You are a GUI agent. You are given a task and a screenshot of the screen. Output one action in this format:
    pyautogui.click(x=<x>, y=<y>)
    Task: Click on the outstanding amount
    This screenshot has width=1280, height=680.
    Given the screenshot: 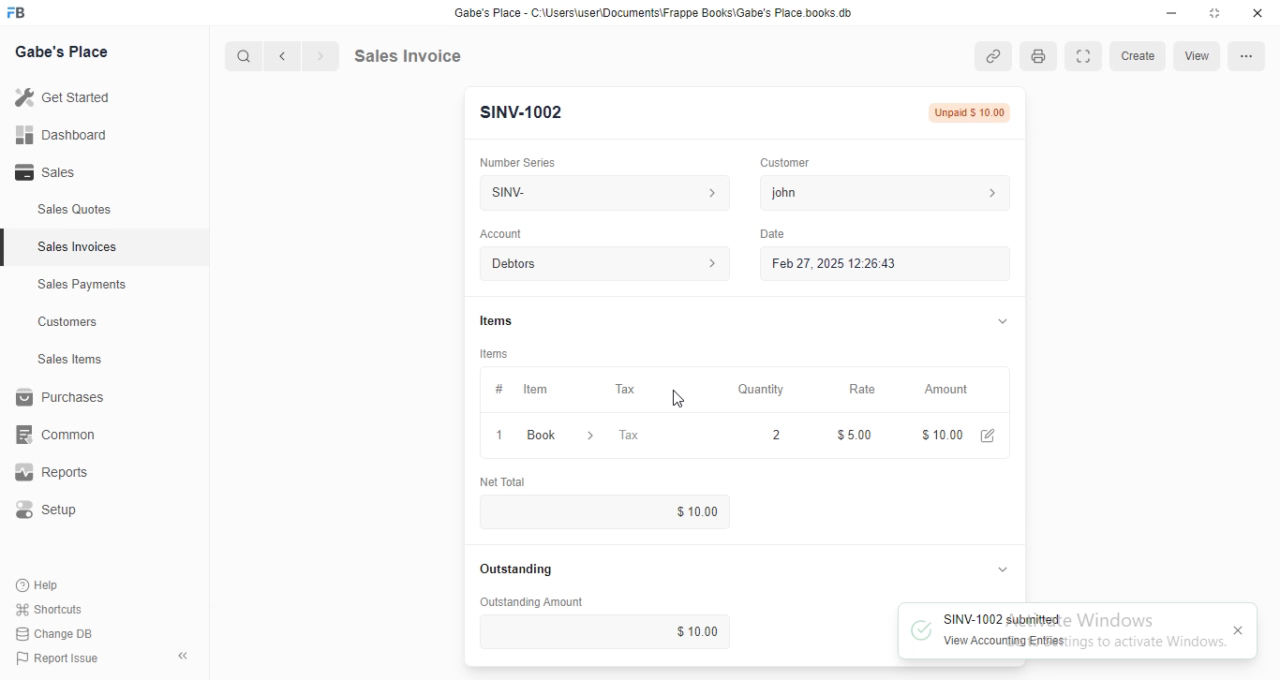 What is the action you would take?
    pyautogui.click(x=529, y=601)
    